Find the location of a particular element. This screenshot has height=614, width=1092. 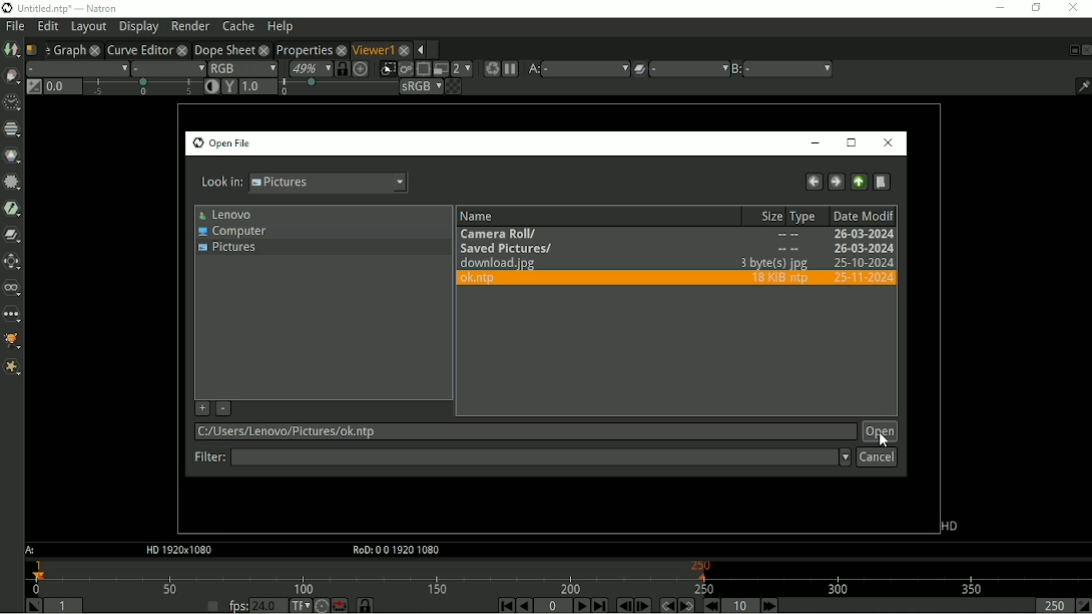

Camera Roll/ is located at coordinates (677, 235).